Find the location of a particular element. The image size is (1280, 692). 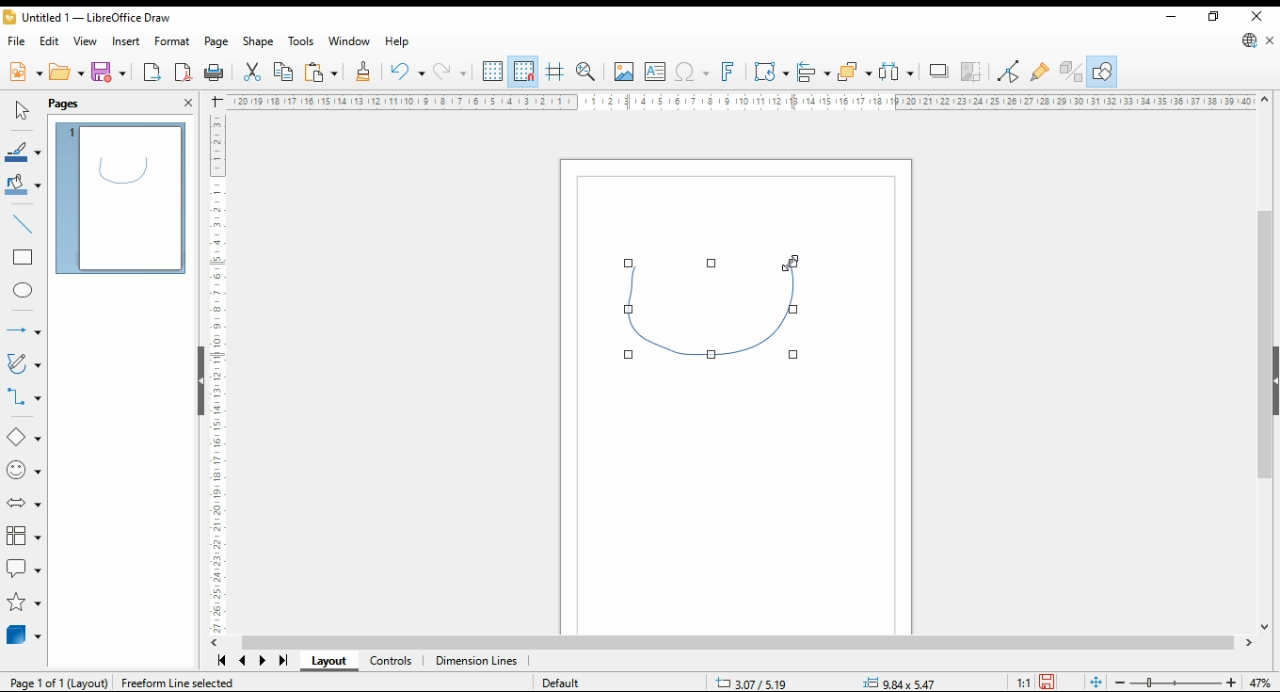

shadow is located at coordinates (938, 71).